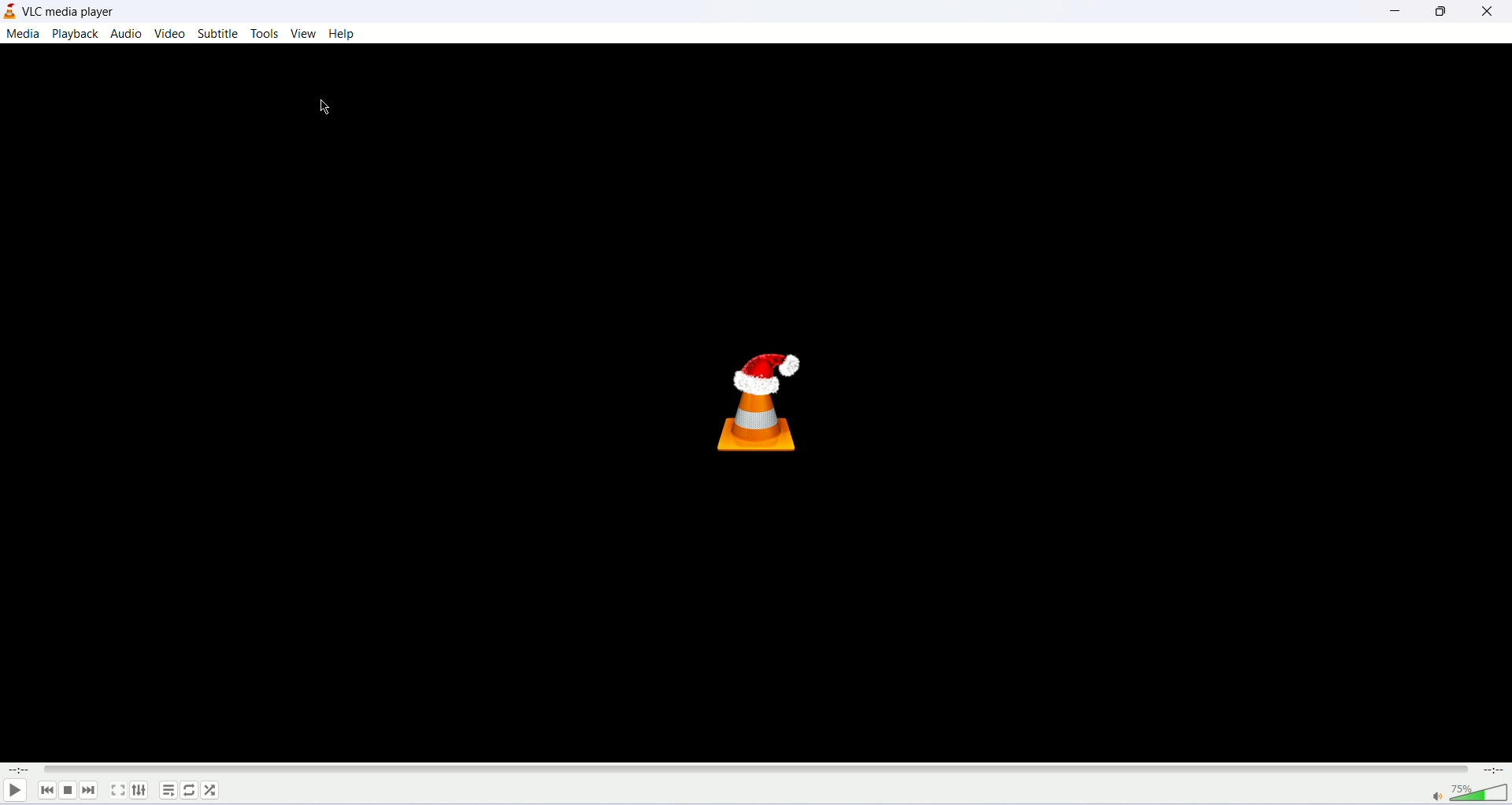  Describe the element at coordinates (341, 33) in the screenshot. I see `help` at that location.